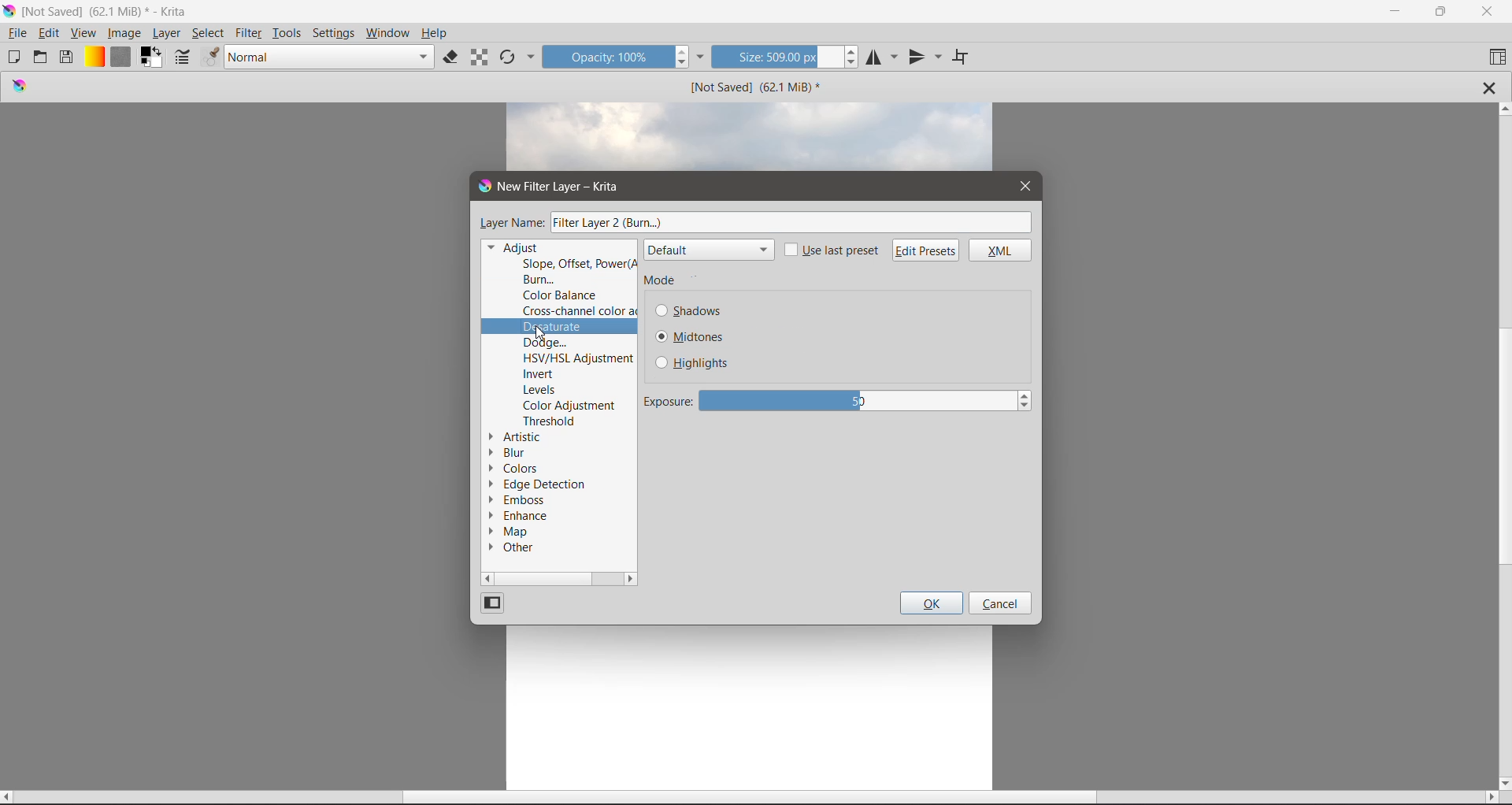  Describe the element at coordinates (50, 33) in the screenshot. I see `Edit` at that location.